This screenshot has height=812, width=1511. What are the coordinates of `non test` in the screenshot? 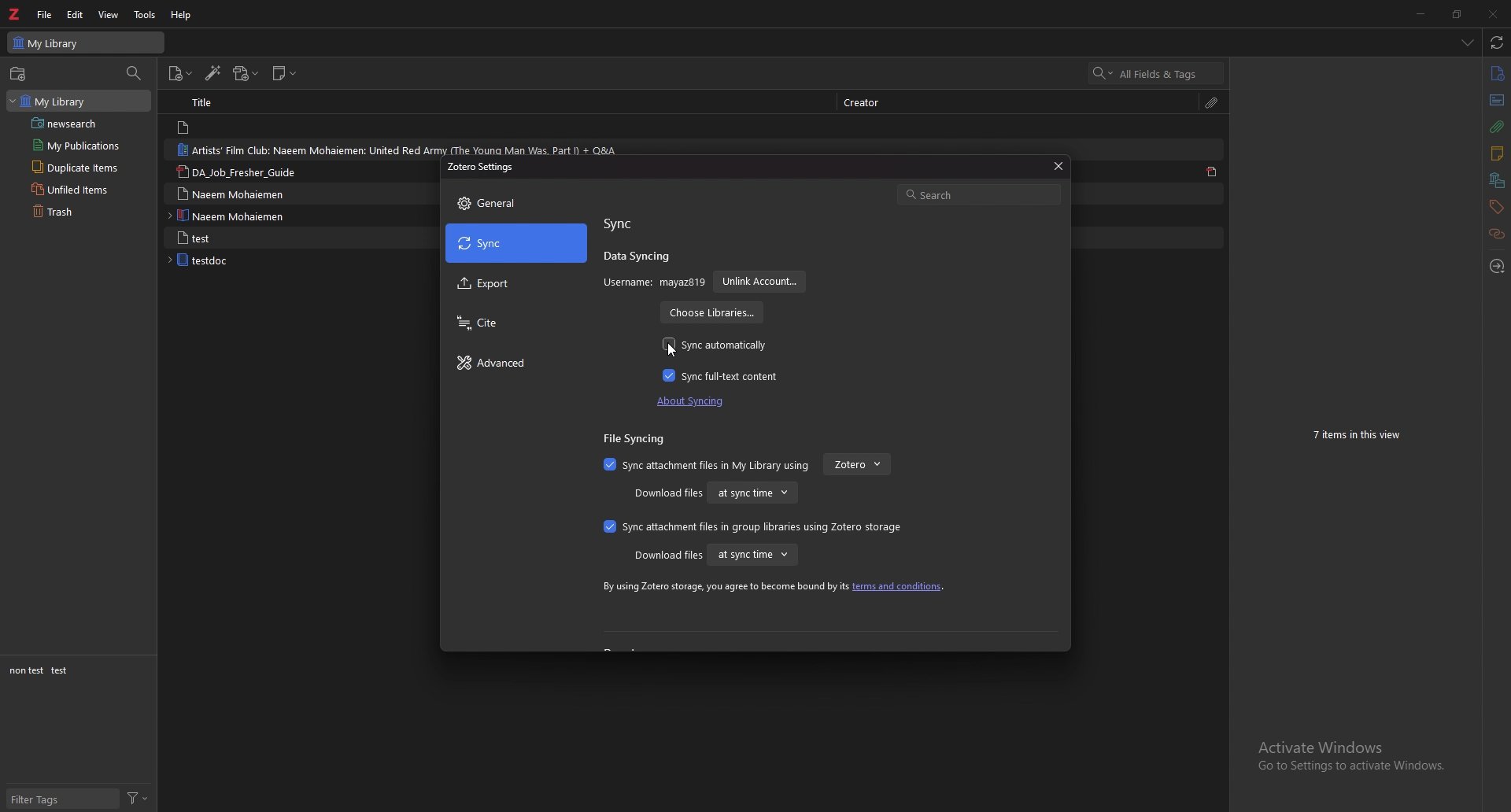 It's located at (25, 671).